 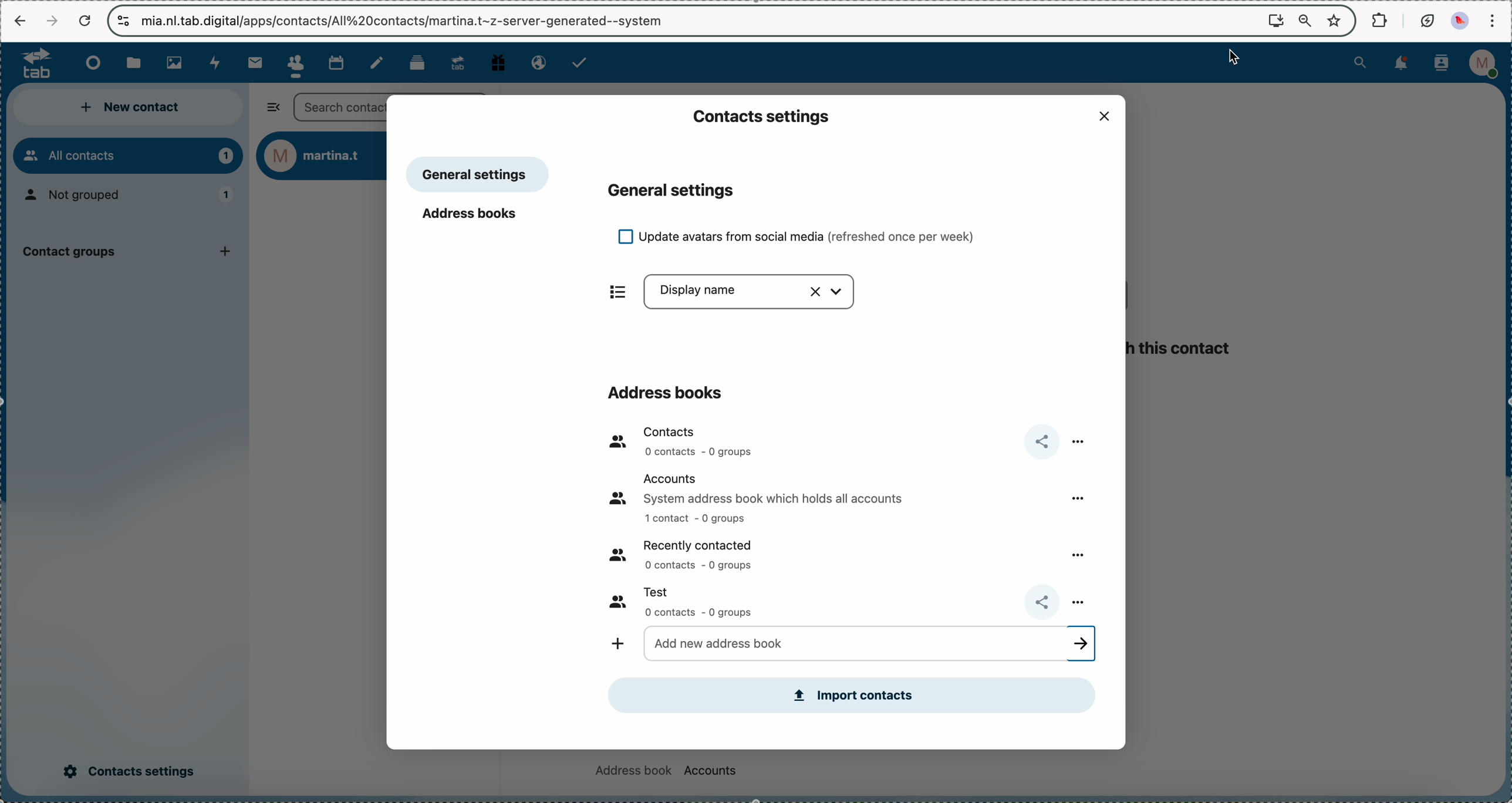 I want to click on files, so click(x=136, y=64).